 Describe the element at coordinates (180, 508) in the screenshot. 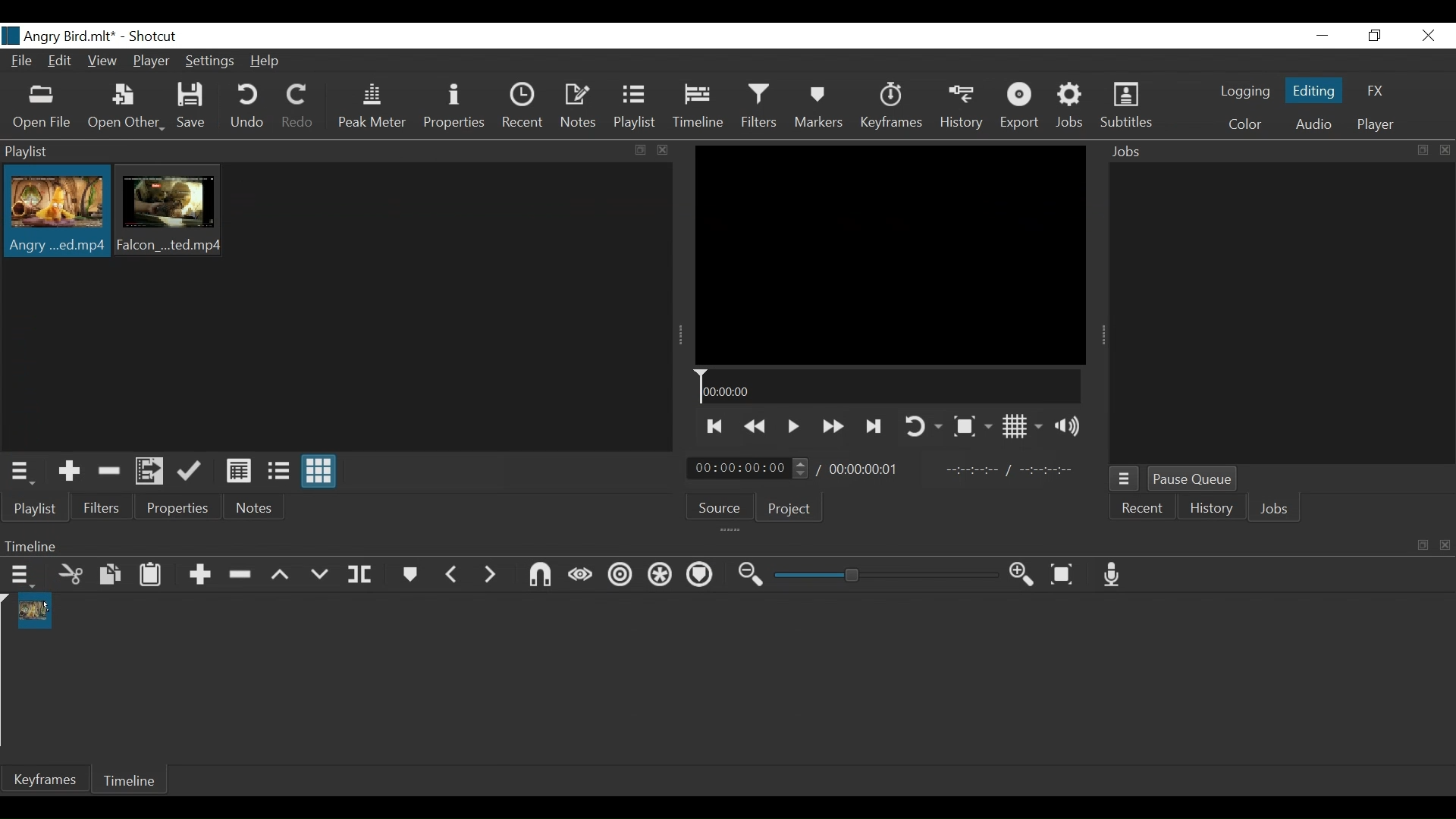

I see `Properties` at that location.